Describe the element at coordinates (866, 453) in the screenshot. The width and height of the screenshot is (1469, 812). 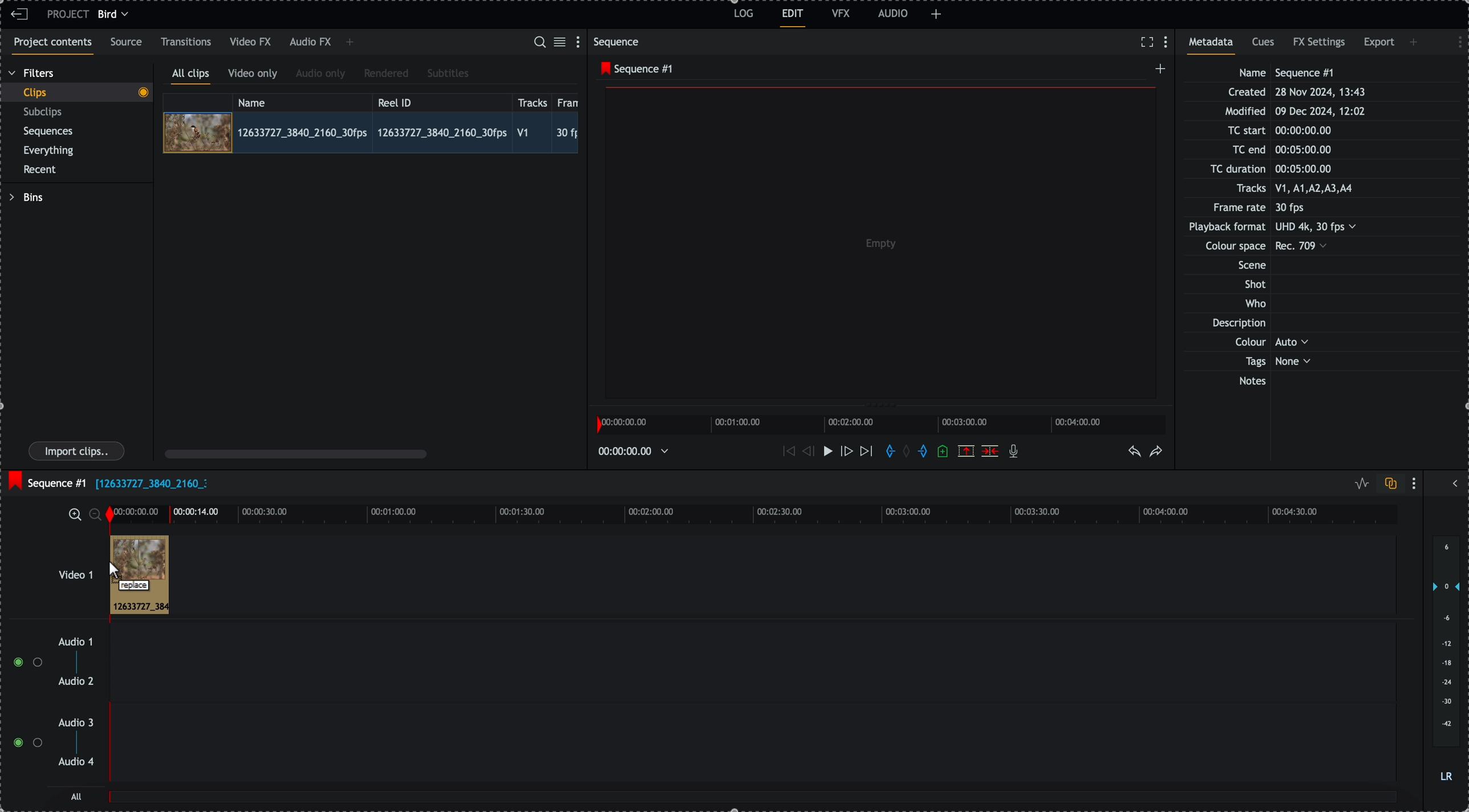
I see `move foward` at that location.